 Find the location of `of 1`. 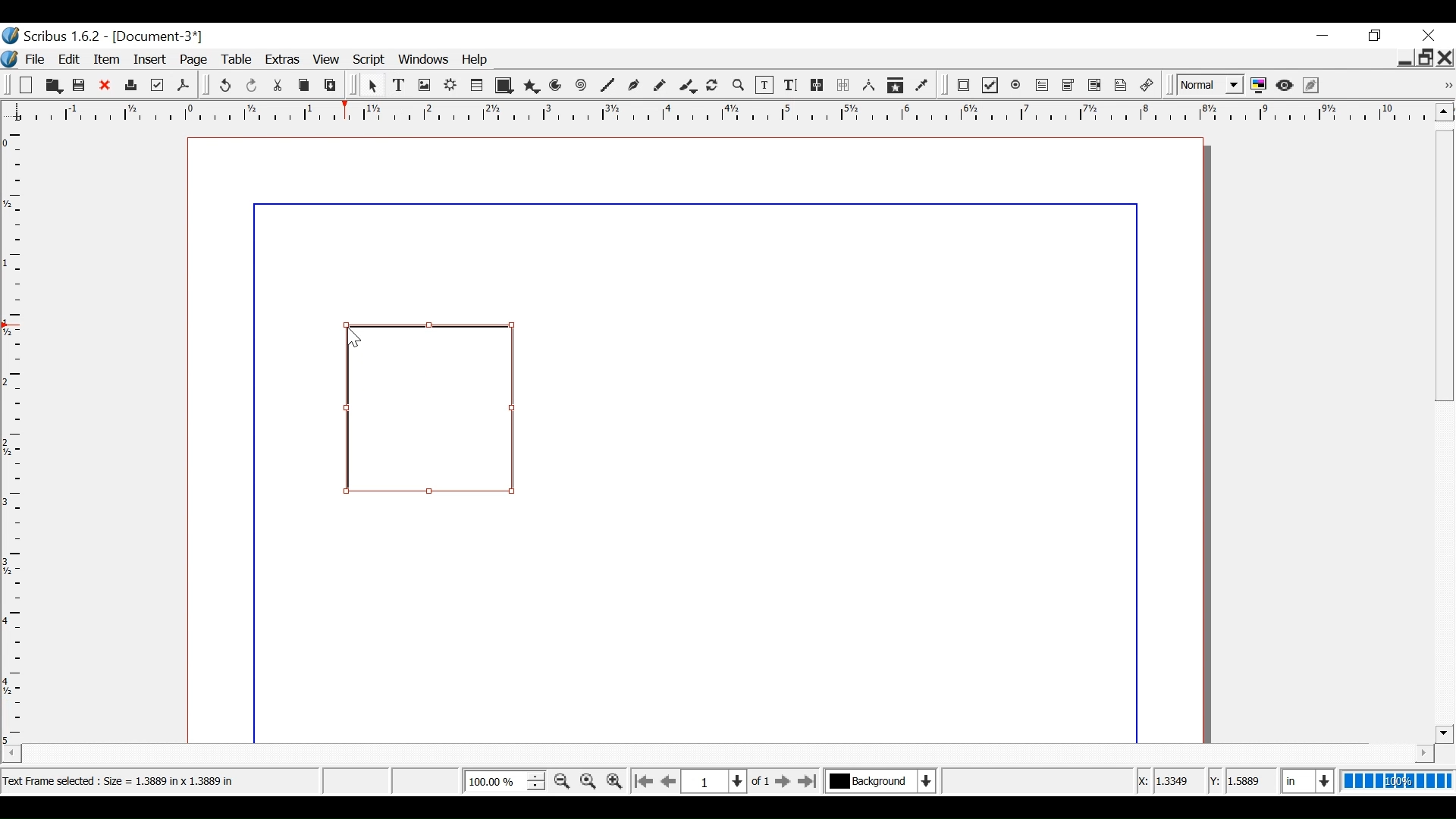

of 1 is located at coordinates (760, 783).